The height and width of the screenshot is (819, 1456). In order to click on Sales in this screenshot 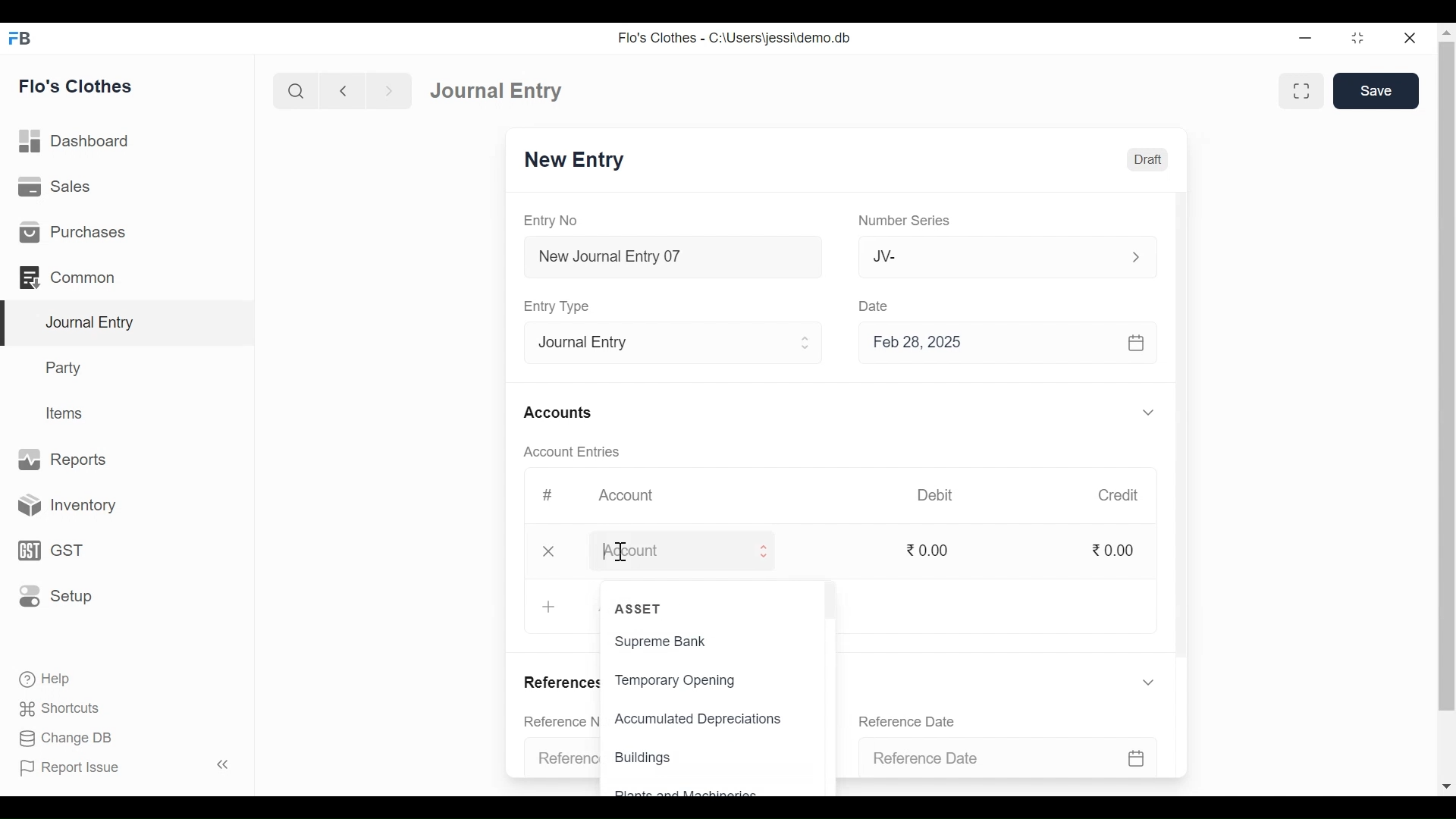, I will do `click(57, 186)`.